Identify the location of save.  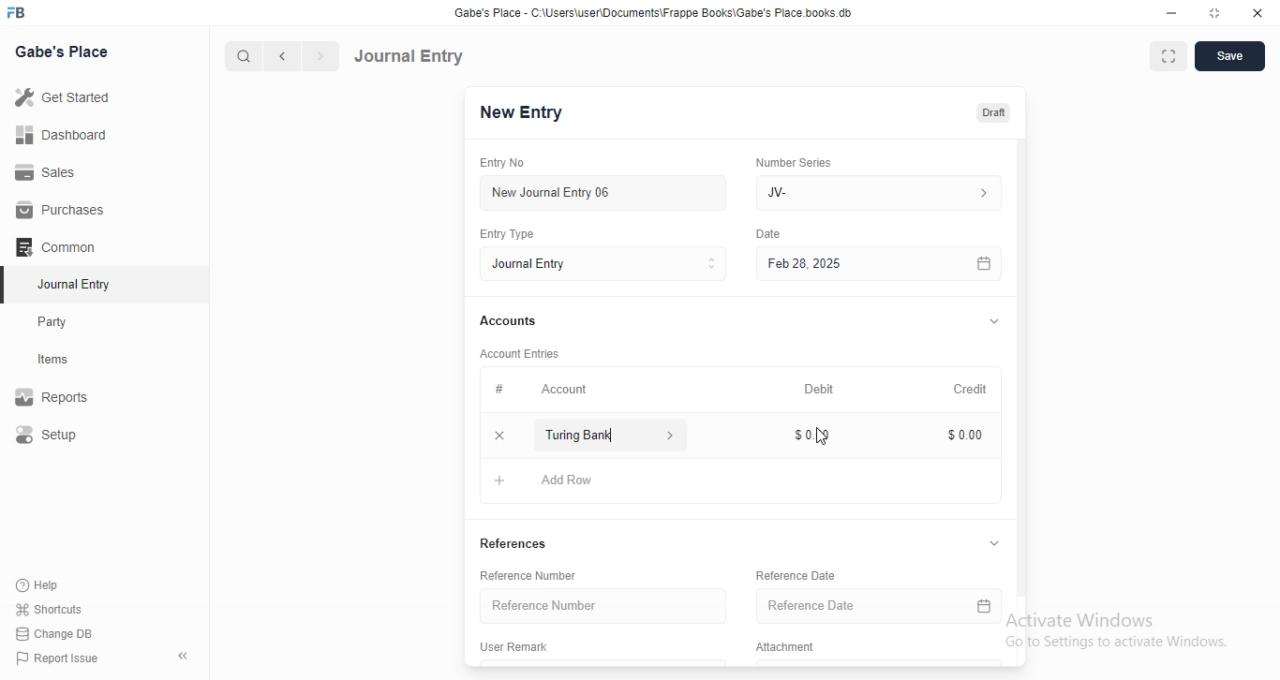
(1232, 56).